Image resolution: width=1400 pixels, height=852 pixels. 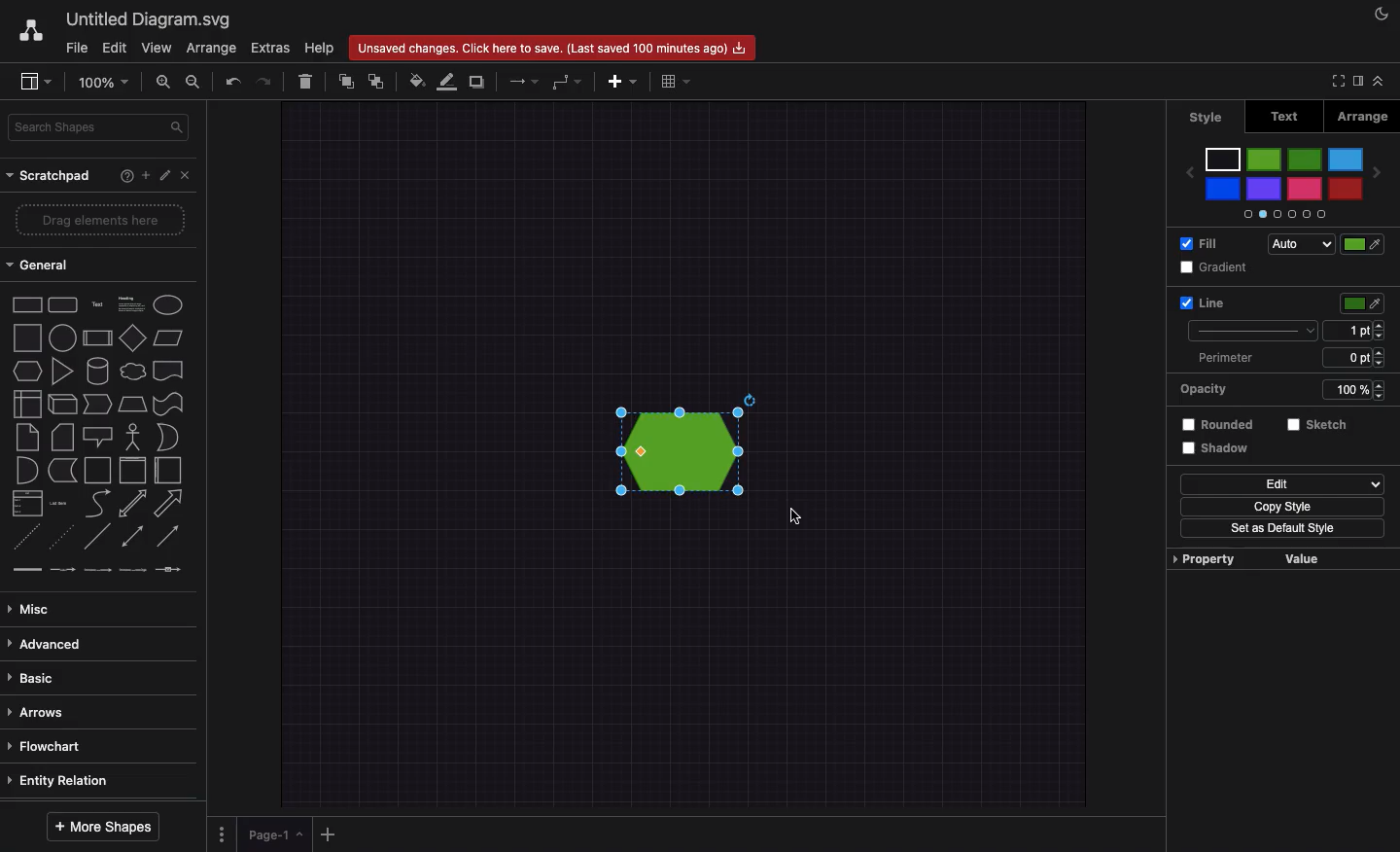 I want to click on Set as default style, so click(x=1286, y=530).